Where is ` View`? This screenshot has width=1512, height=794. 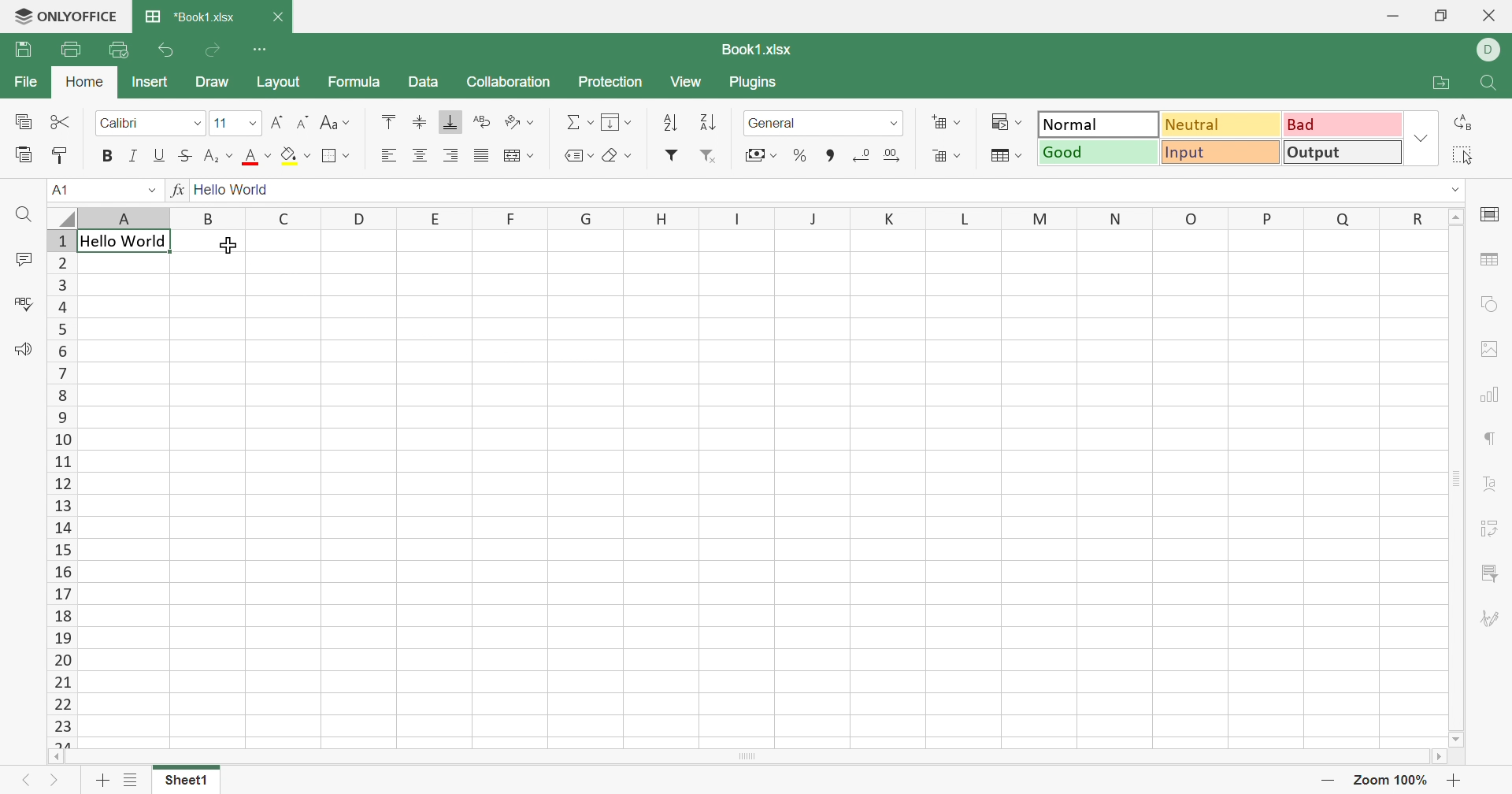  View is located at coordinates (683, 82).